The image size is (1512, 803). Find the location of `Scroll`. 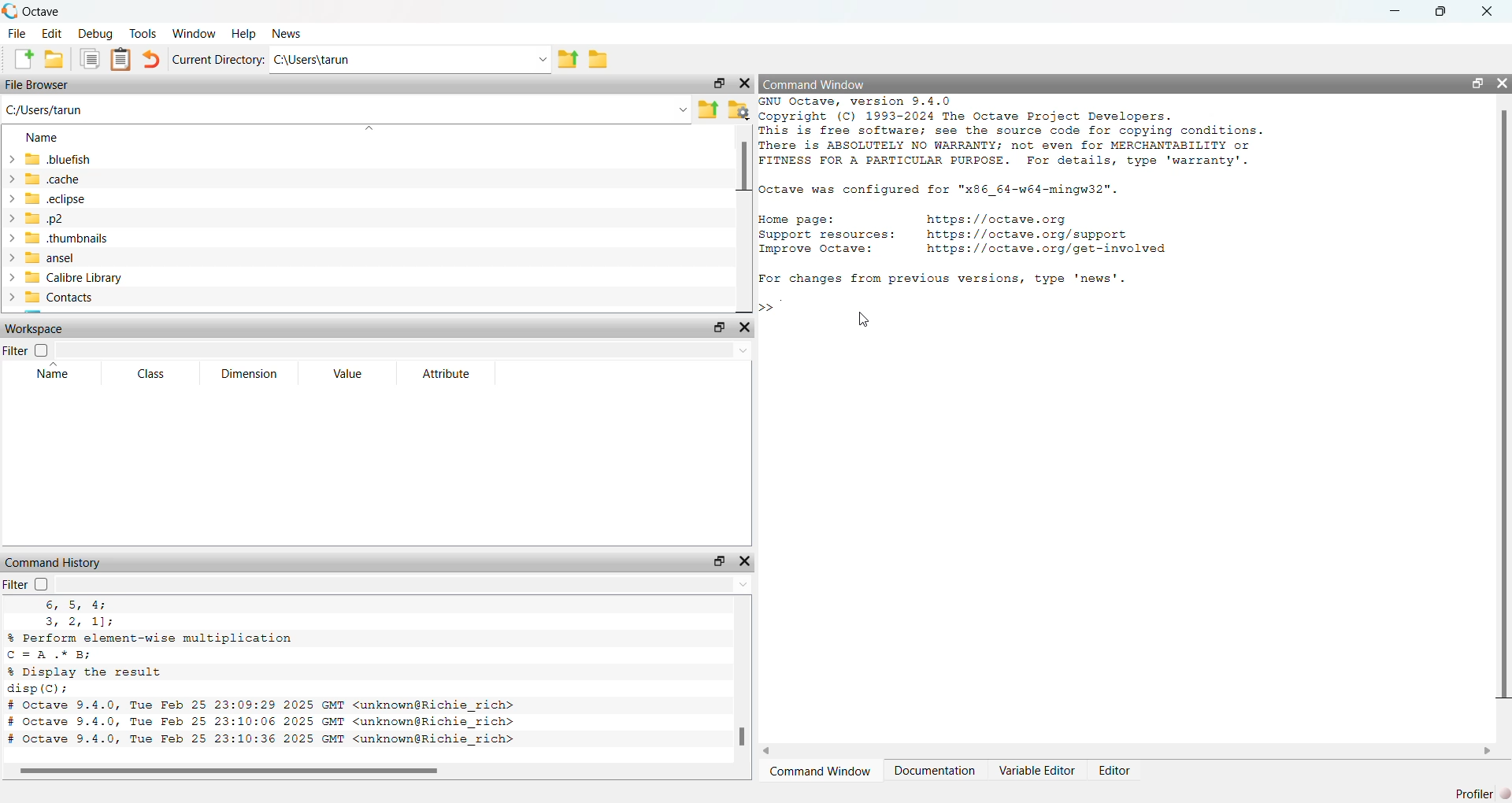

Scroll is located at coordinates (743, 680).